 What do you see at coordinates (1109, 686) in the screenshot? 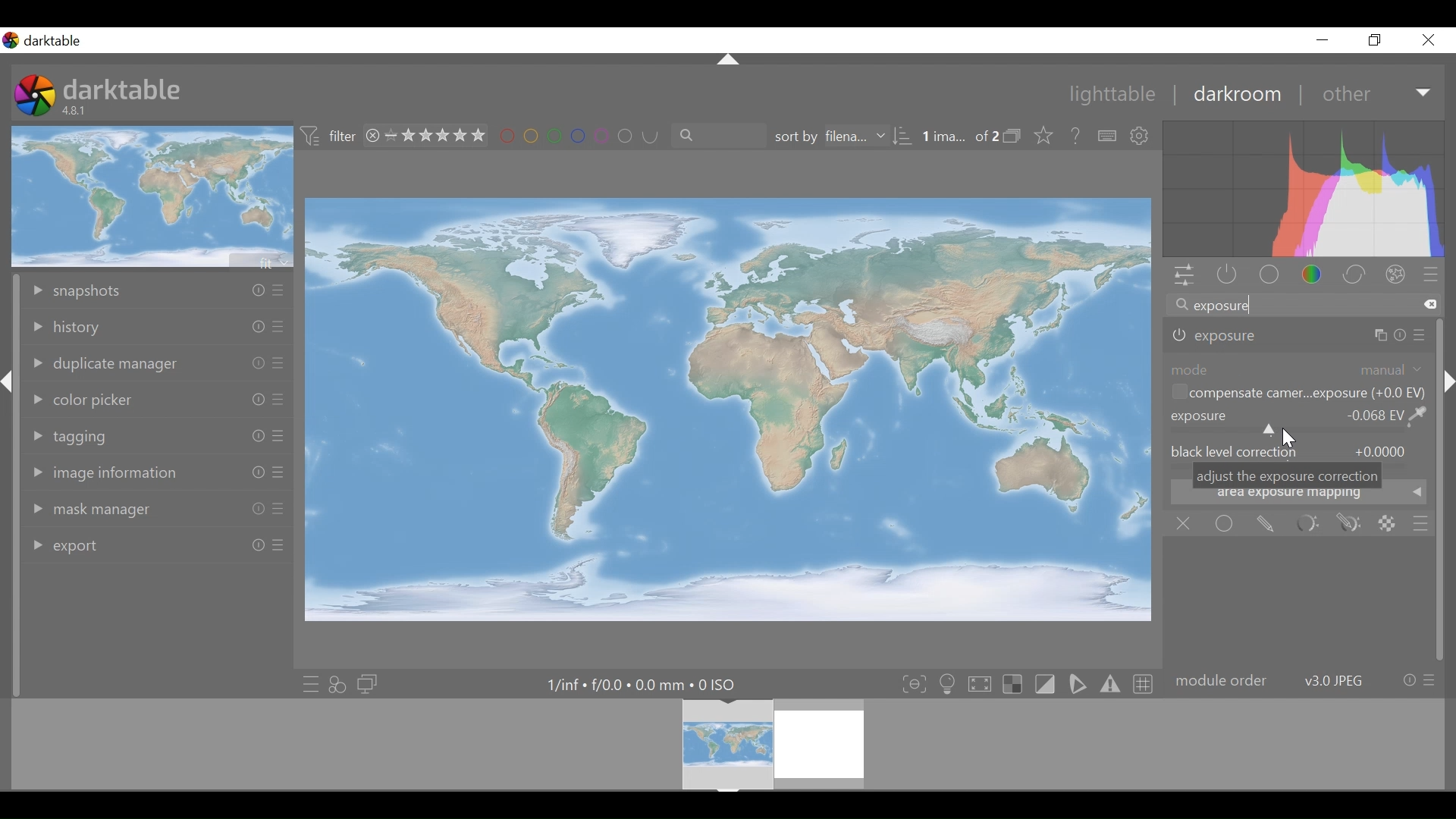
I see `toggle gamut checking` at bounding box center [1109, 686].